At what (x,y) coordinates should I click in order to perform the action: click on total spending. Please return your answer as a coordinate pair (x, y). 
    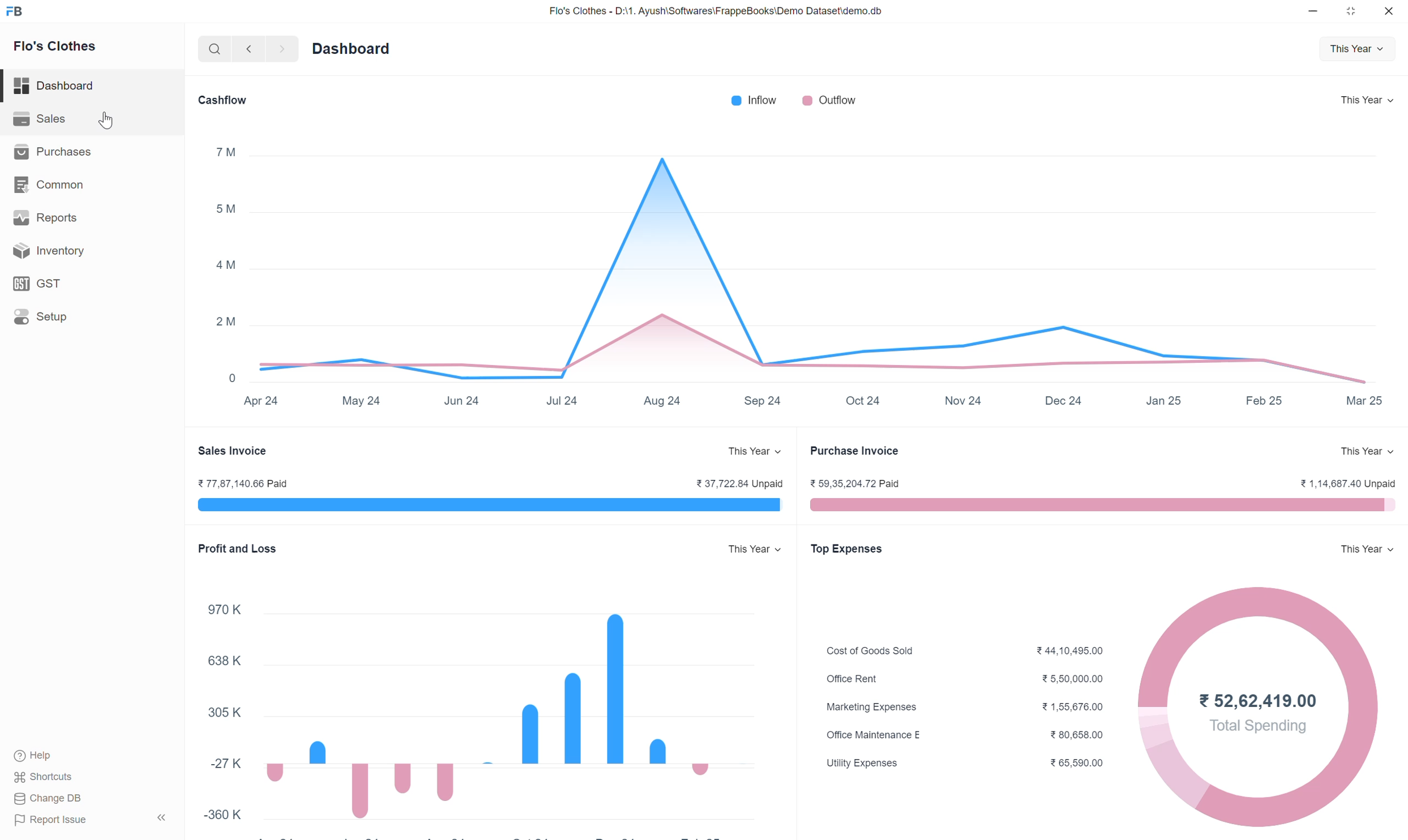
    Looking at the image, I should click on (1254, 728).